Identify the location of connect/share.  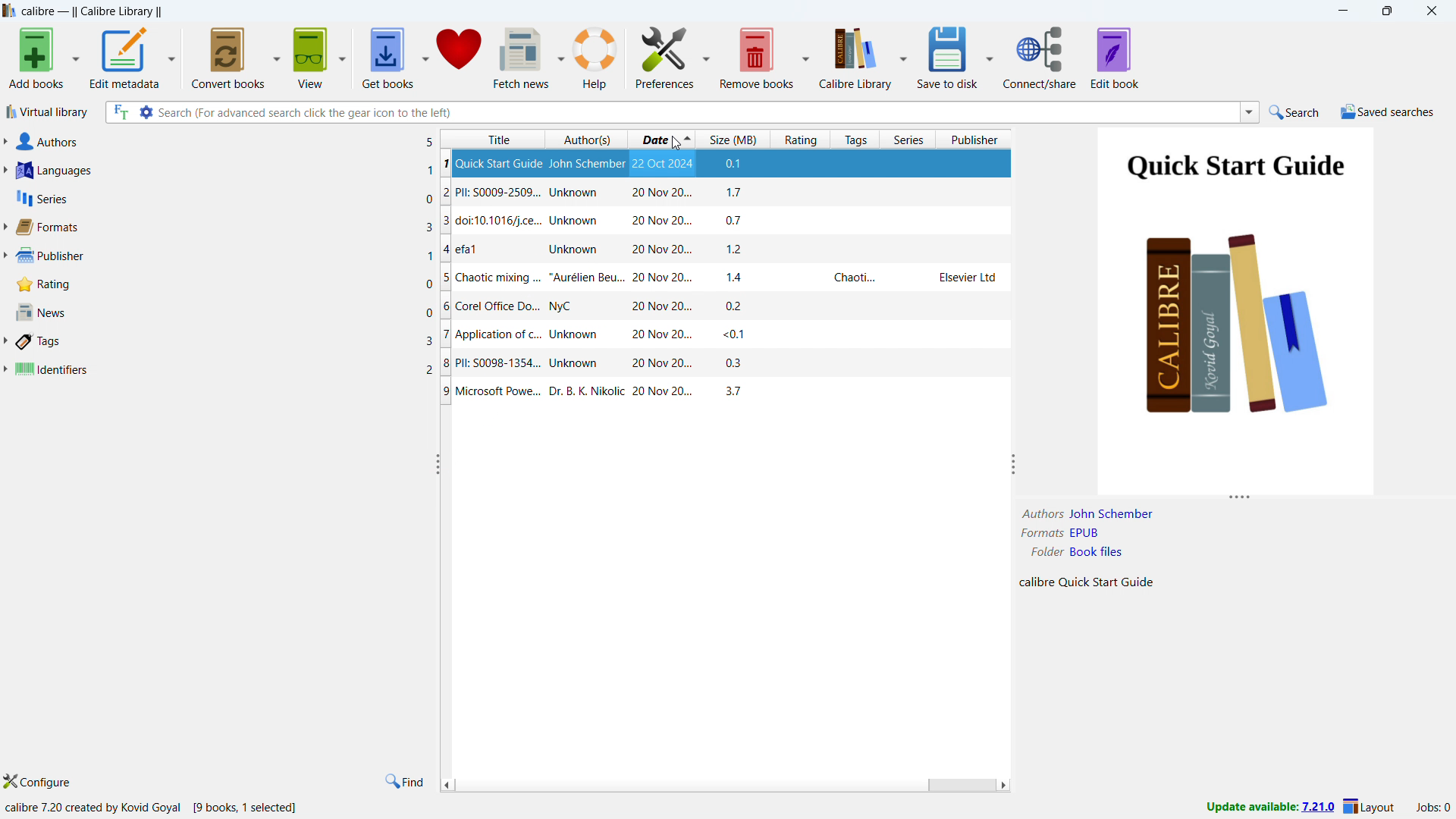
(1040, 57).